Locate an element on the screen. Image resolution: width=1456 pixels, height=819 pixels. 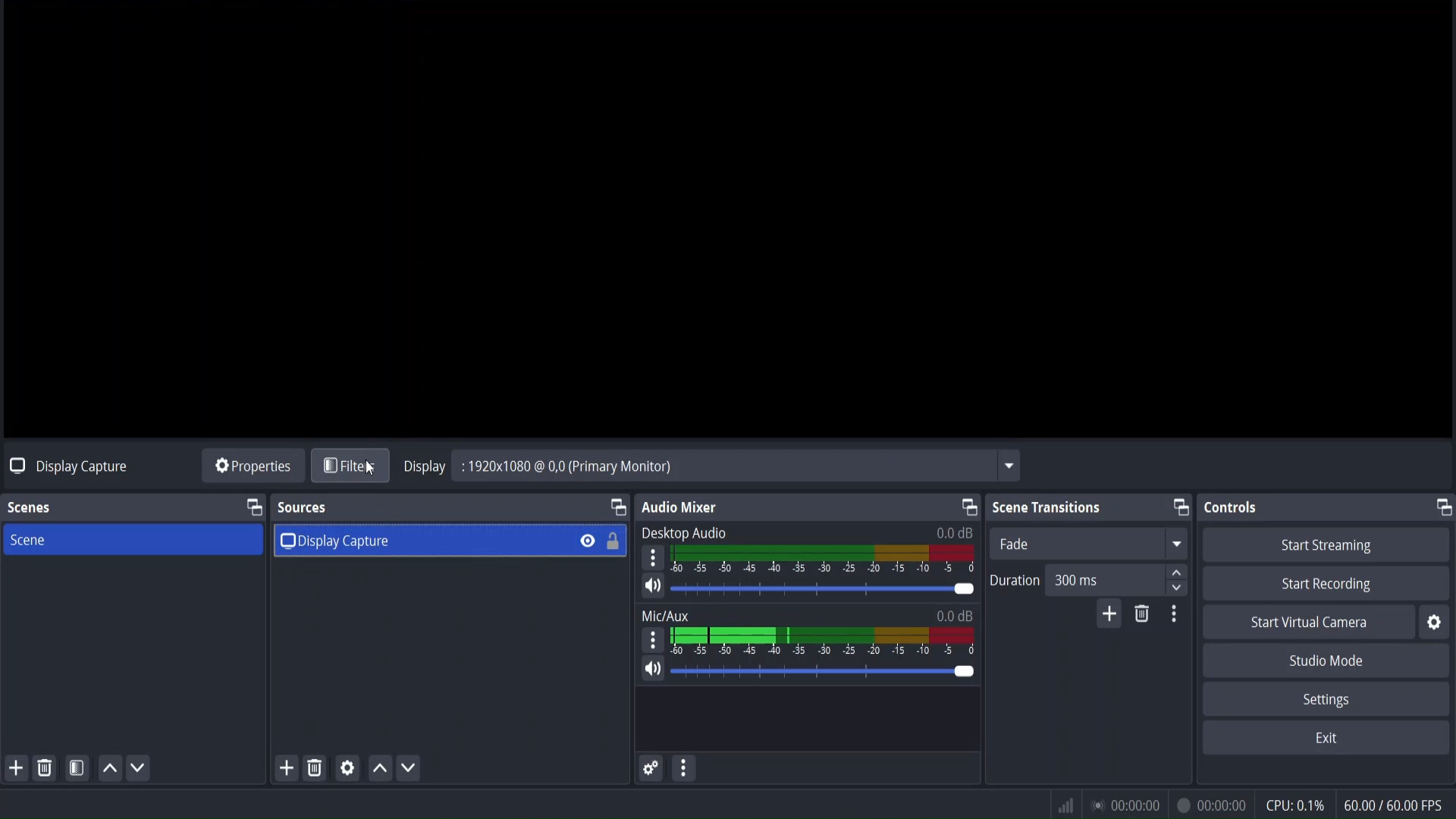
remove configurable transition is located at coordinates (1144, 613).